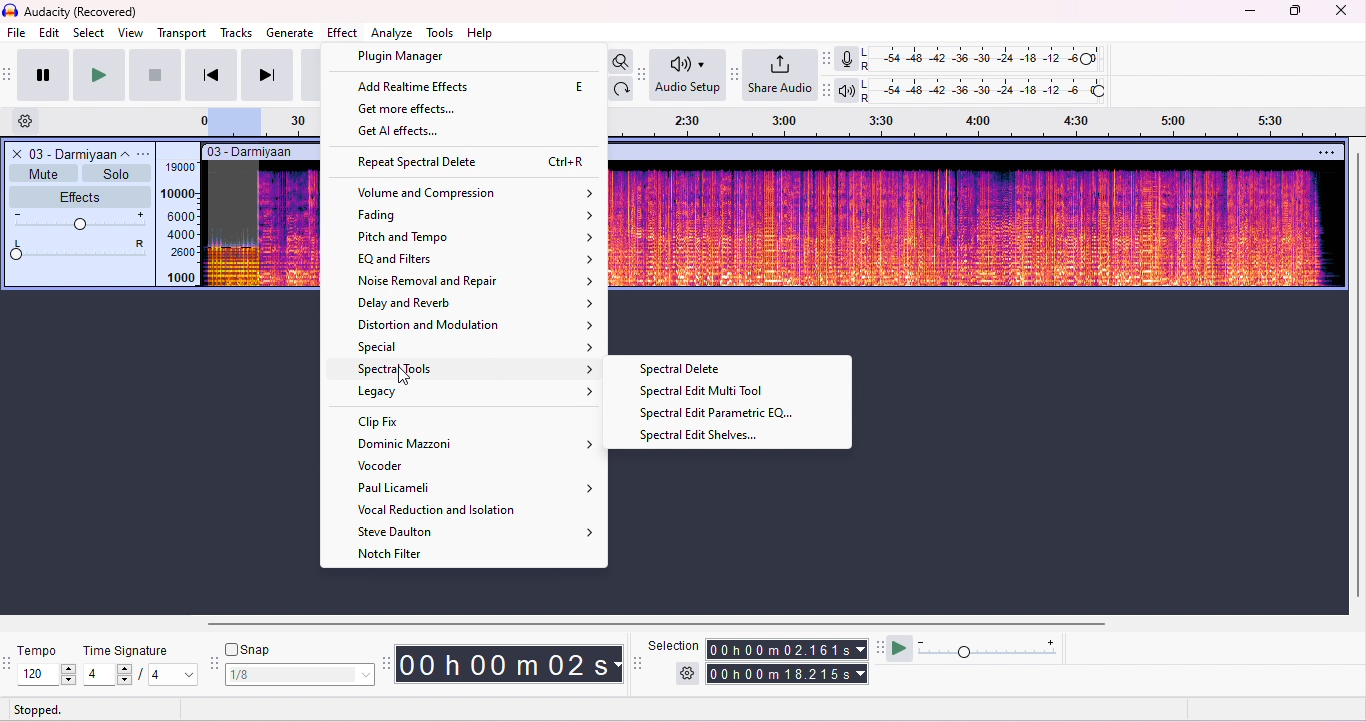  Describe the element at coordinates (15, 153) in the screenshot. I see `close track` at that location.